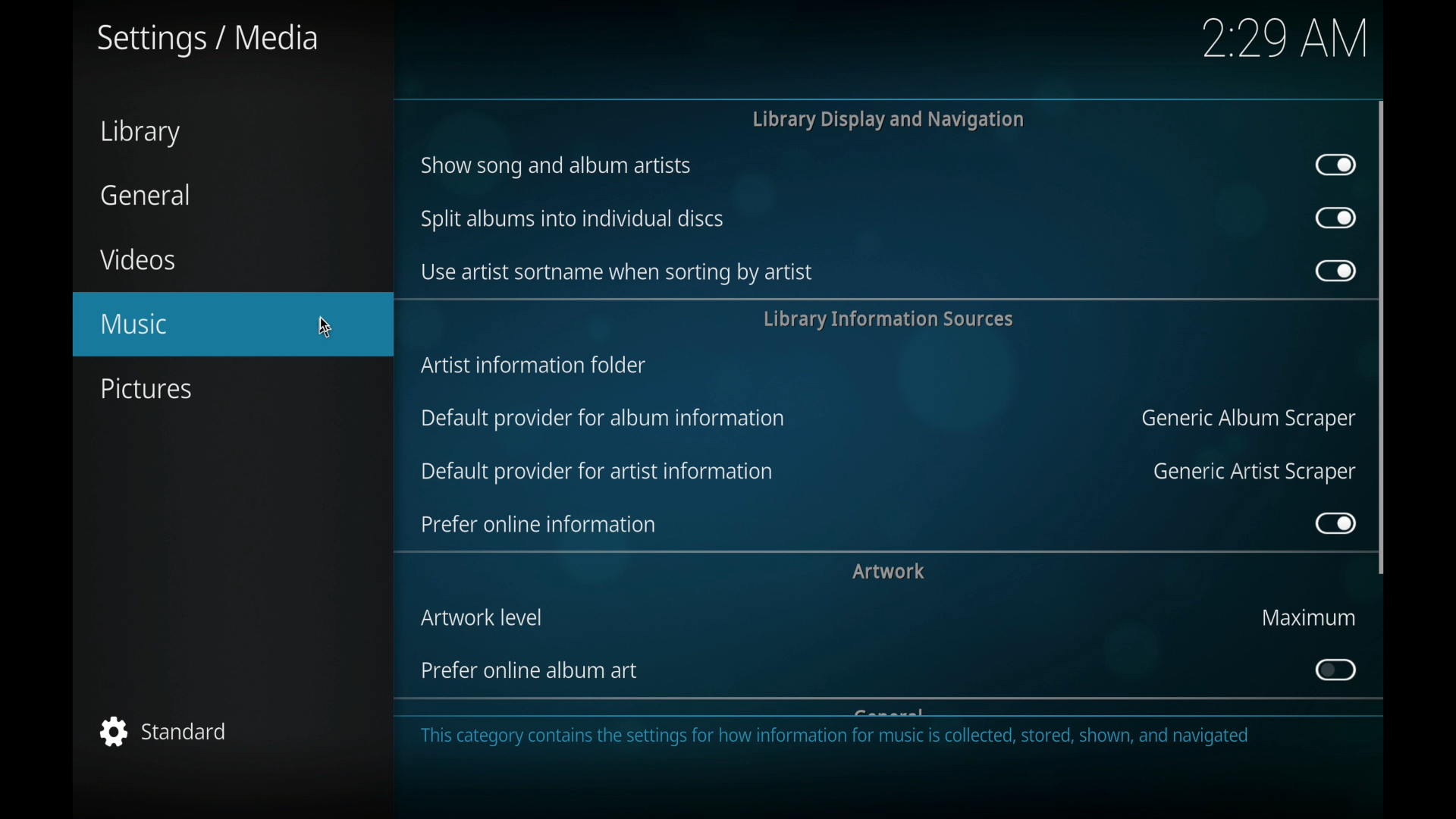 The width and height of the screenshot is (1456, 819). I want to click on prefer online album art, so click(529, 671).